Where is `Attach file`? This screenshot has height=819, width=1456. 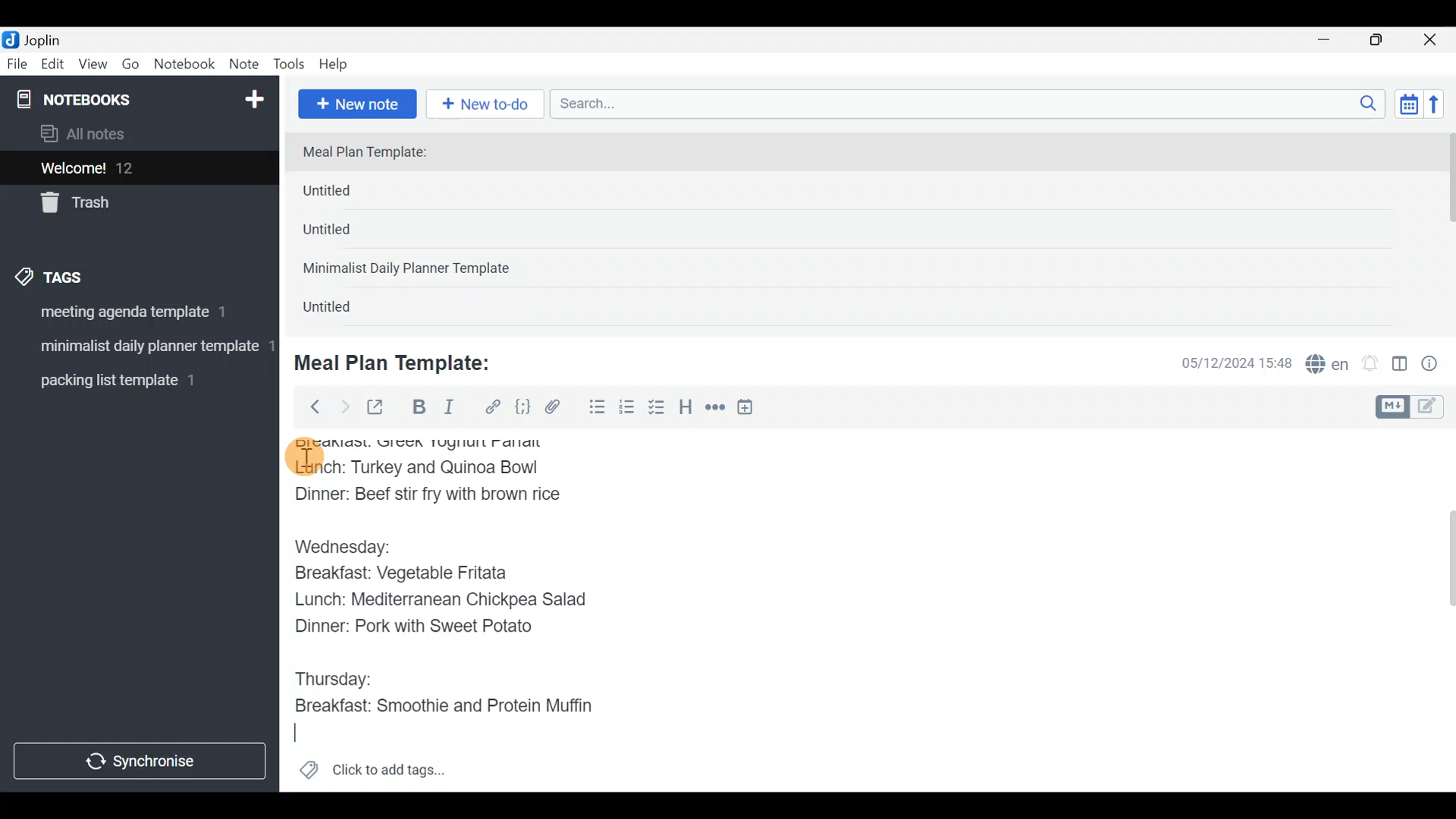 Attach file is located at coordinates (557, 409).